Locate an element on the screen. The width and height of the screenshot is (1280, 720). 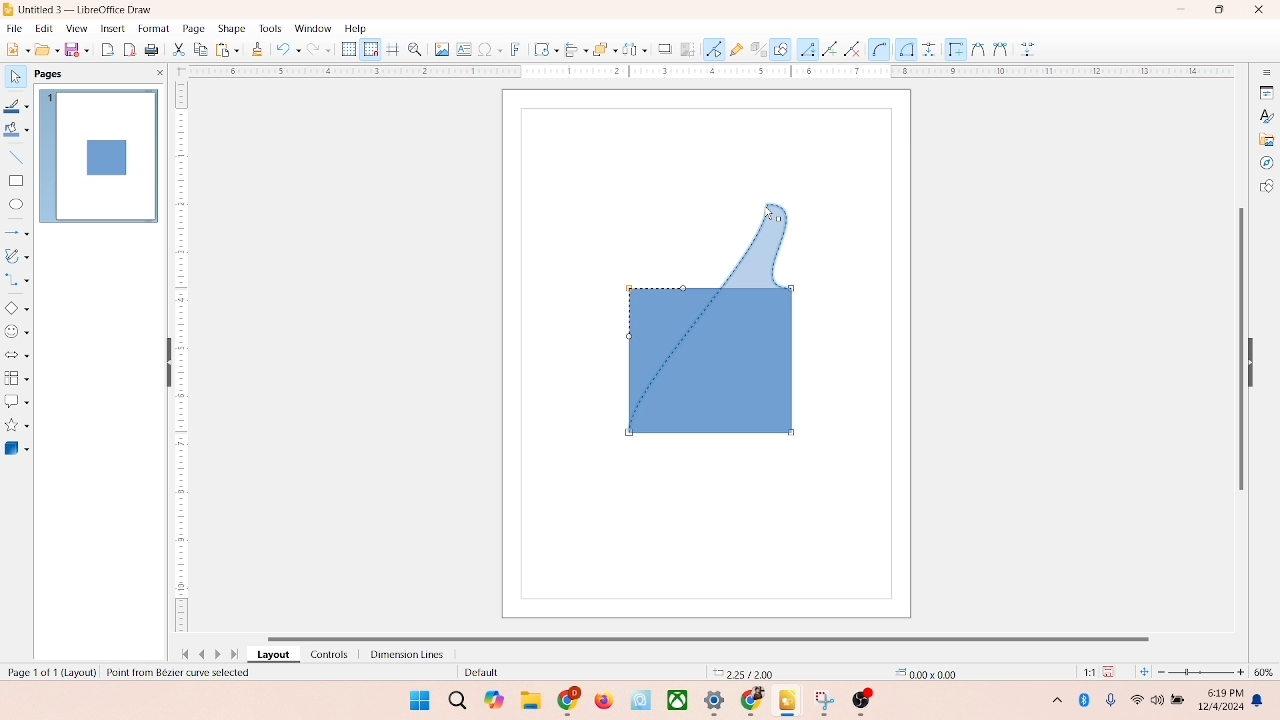
insert is located at coordinates (111, 28).